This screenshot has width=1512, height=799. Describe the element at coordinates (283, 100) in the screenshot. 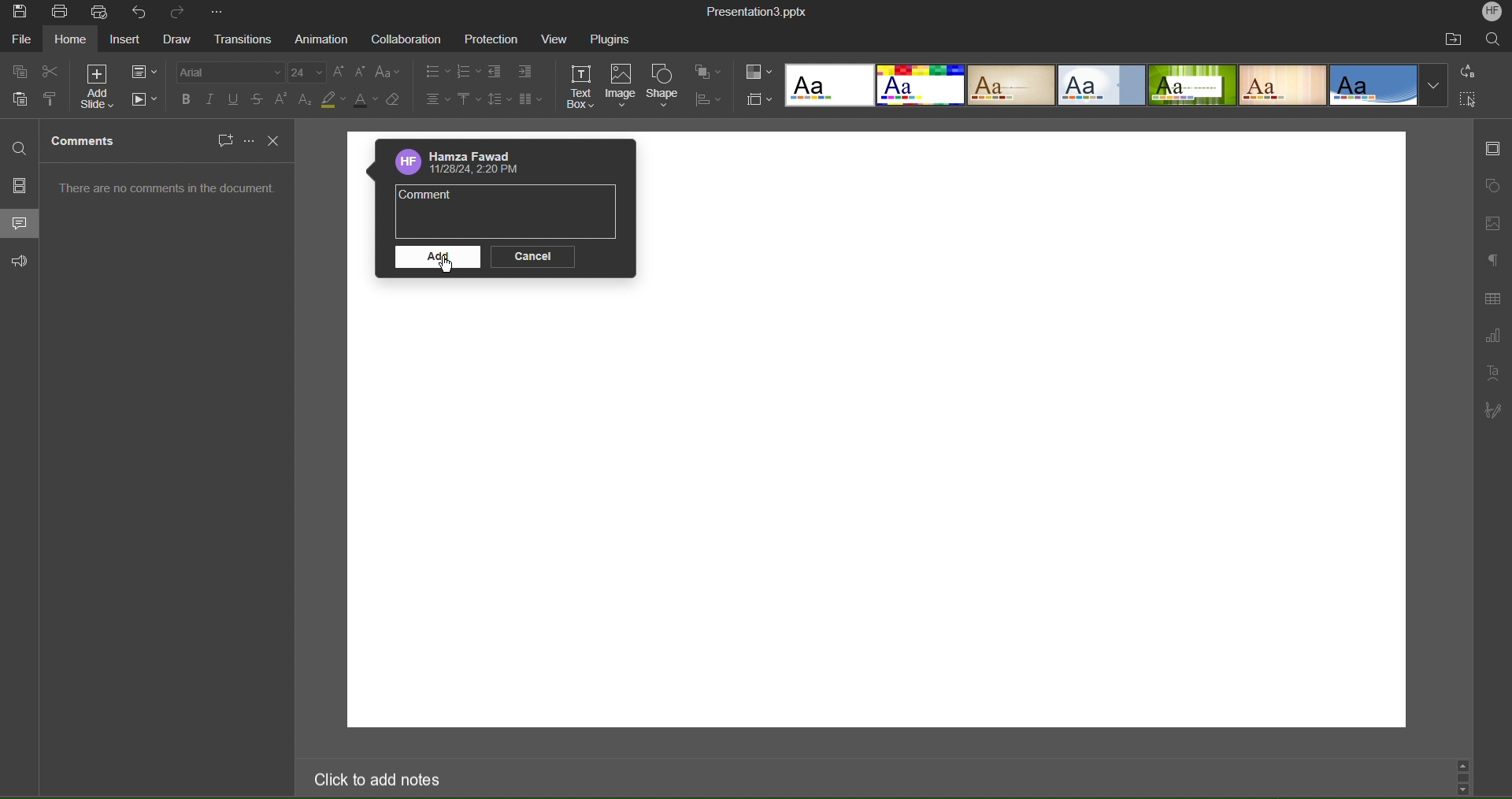

I see `Superscript` at that location.